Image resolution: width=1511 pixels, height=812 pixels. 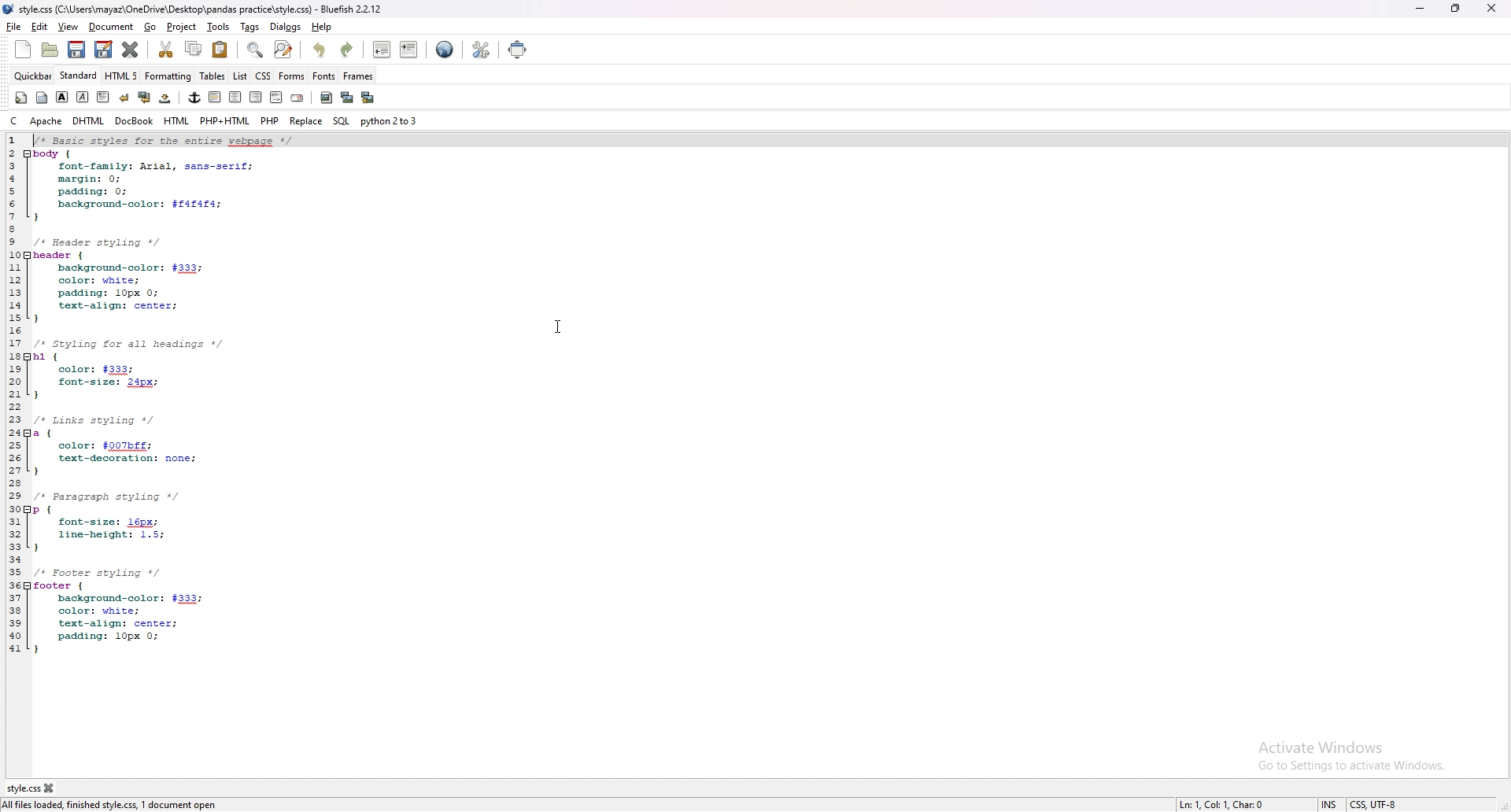 What do you see at coordinates (76, 50) in the screenshot?
I see `save` at bounding box center [76, 50].